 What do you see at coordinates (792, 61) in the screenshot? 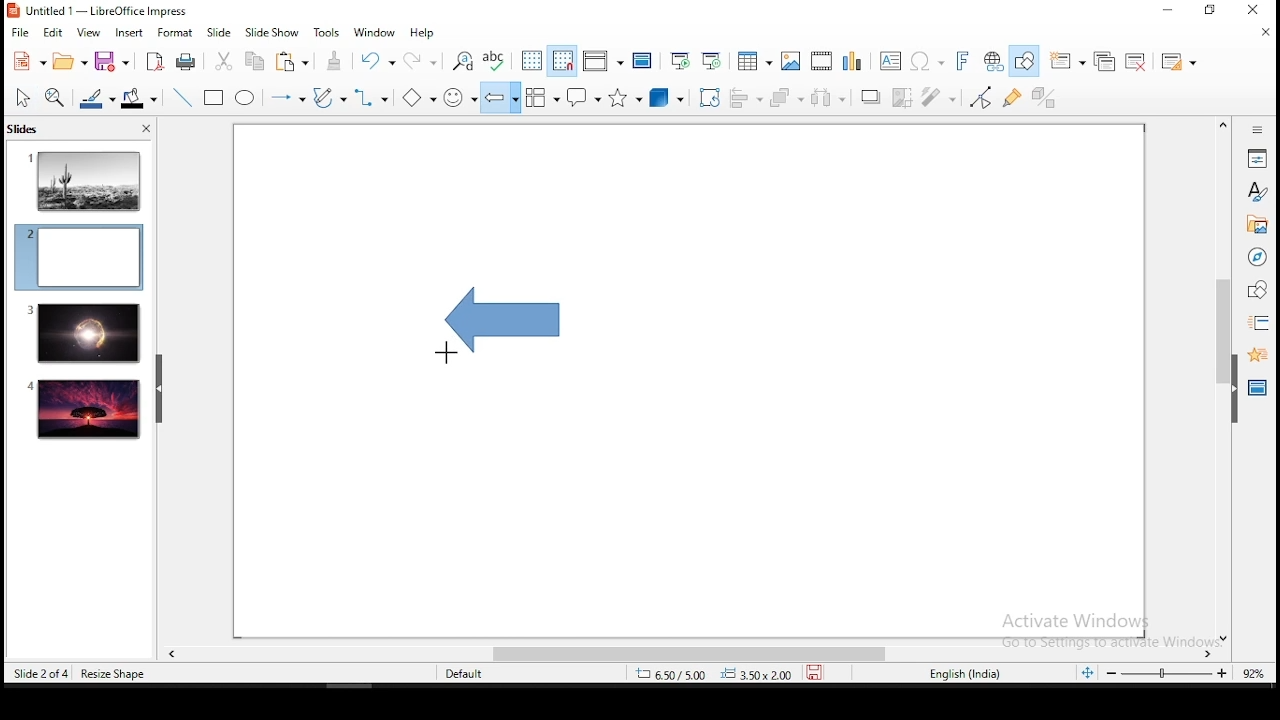
I see `images` at bounding box center [792, 61].